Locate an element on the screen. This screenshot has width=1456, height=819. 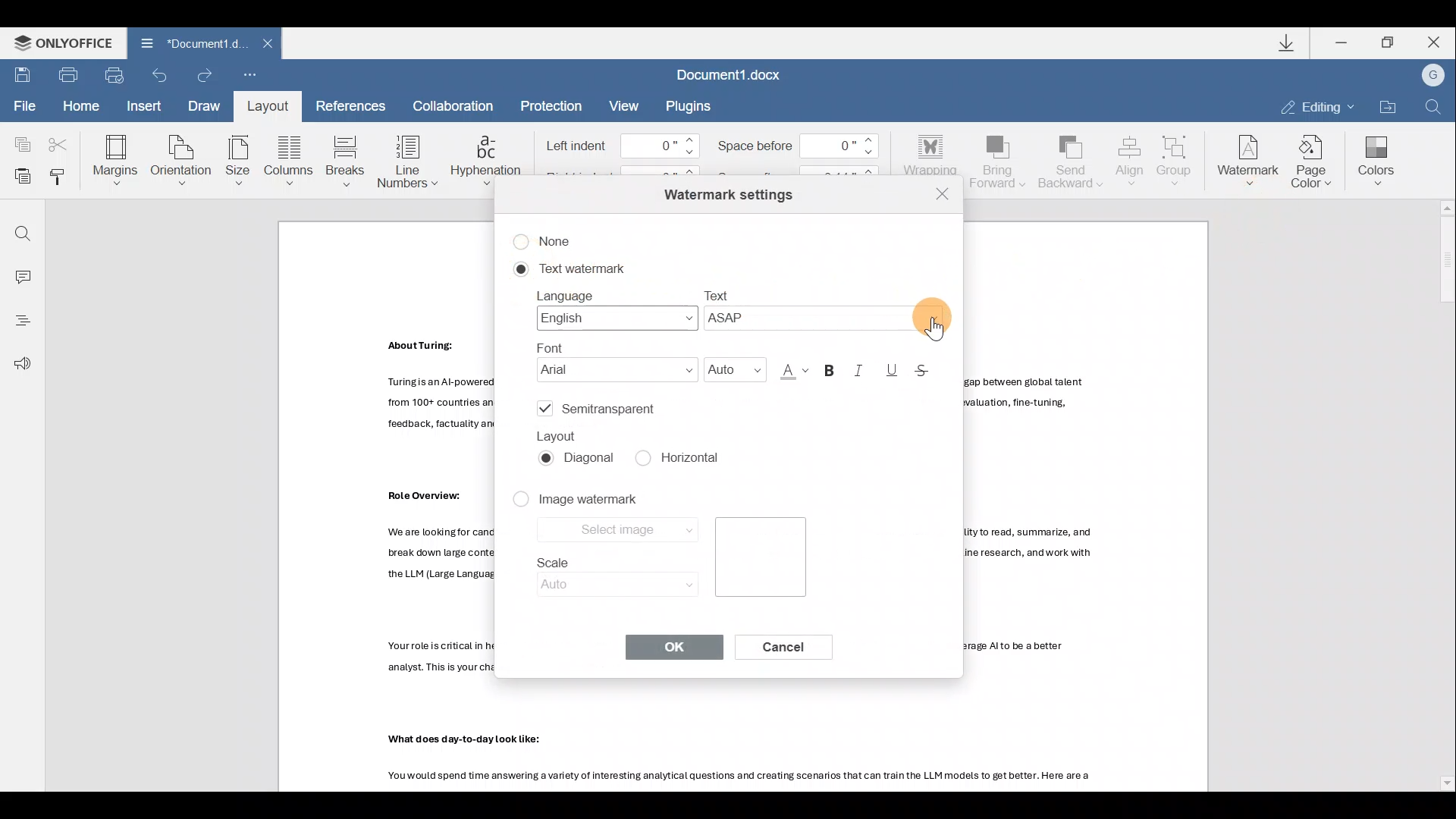
Send backward is located at coordinates (1072, 160).